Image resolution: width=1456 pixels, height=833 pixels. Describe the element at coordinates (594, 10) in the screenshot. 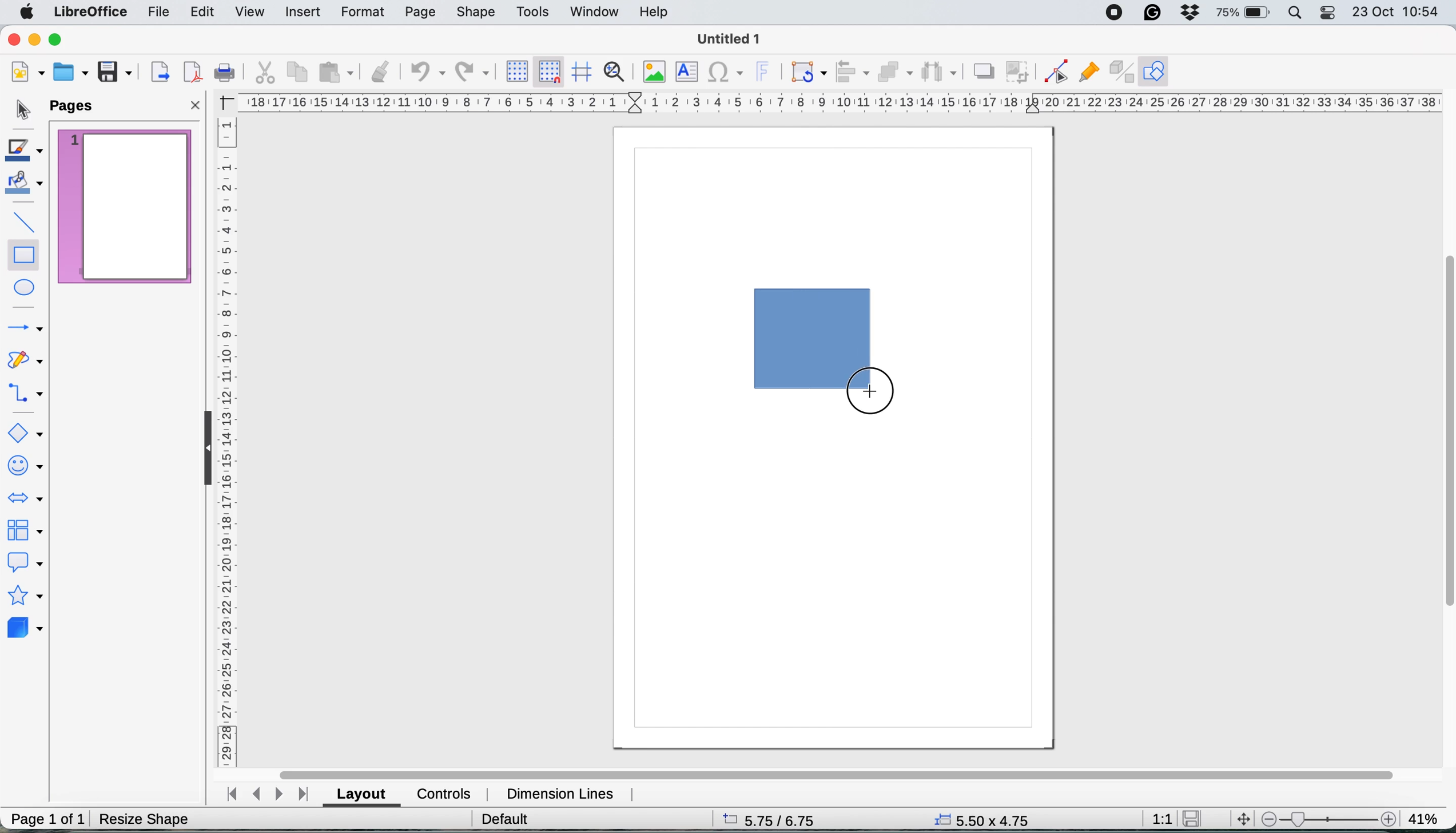

I see `window` at that location.